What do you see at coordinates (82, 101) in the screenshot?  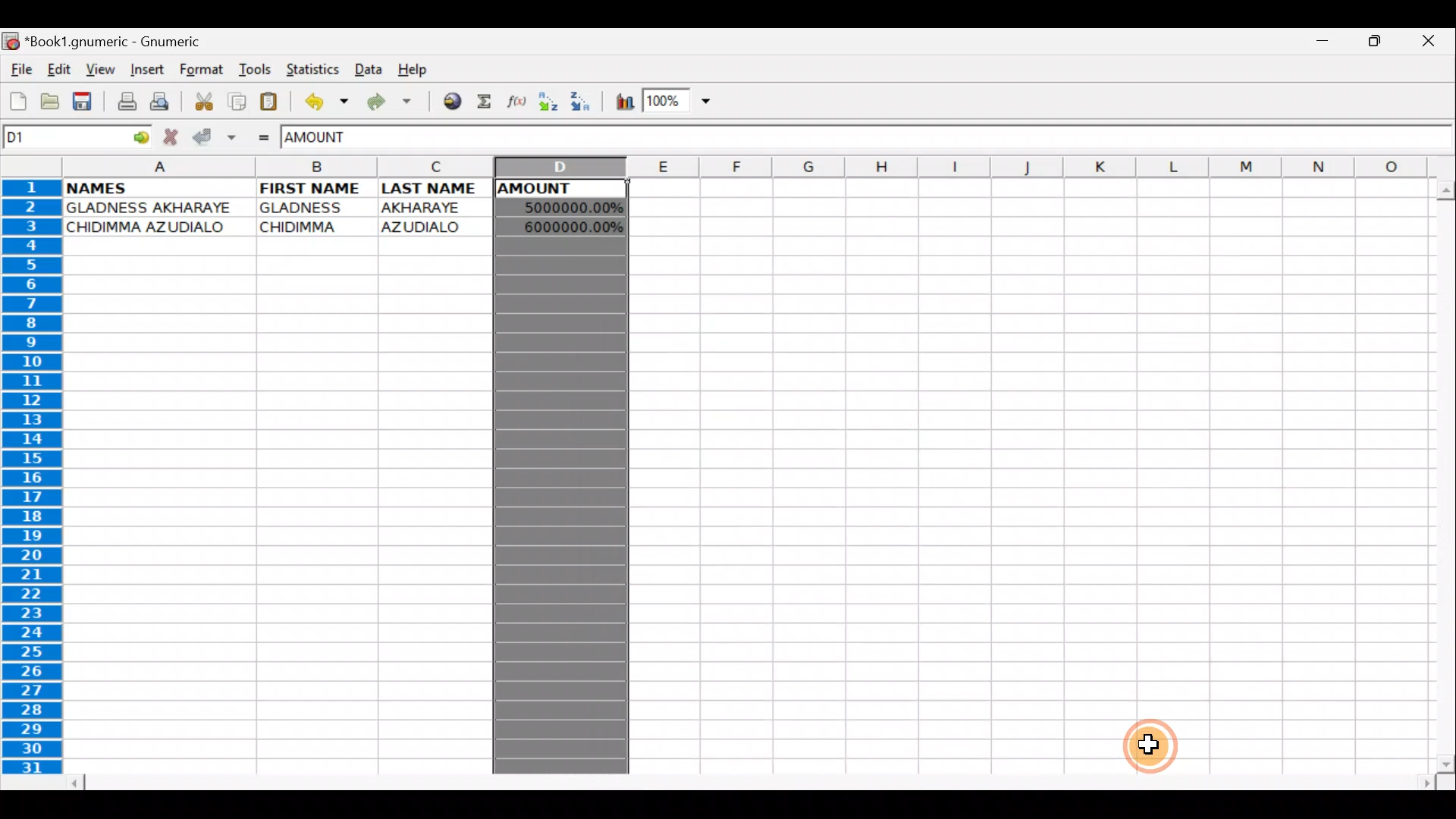 I see `Save current workbook` at bounding box center [82, 101].